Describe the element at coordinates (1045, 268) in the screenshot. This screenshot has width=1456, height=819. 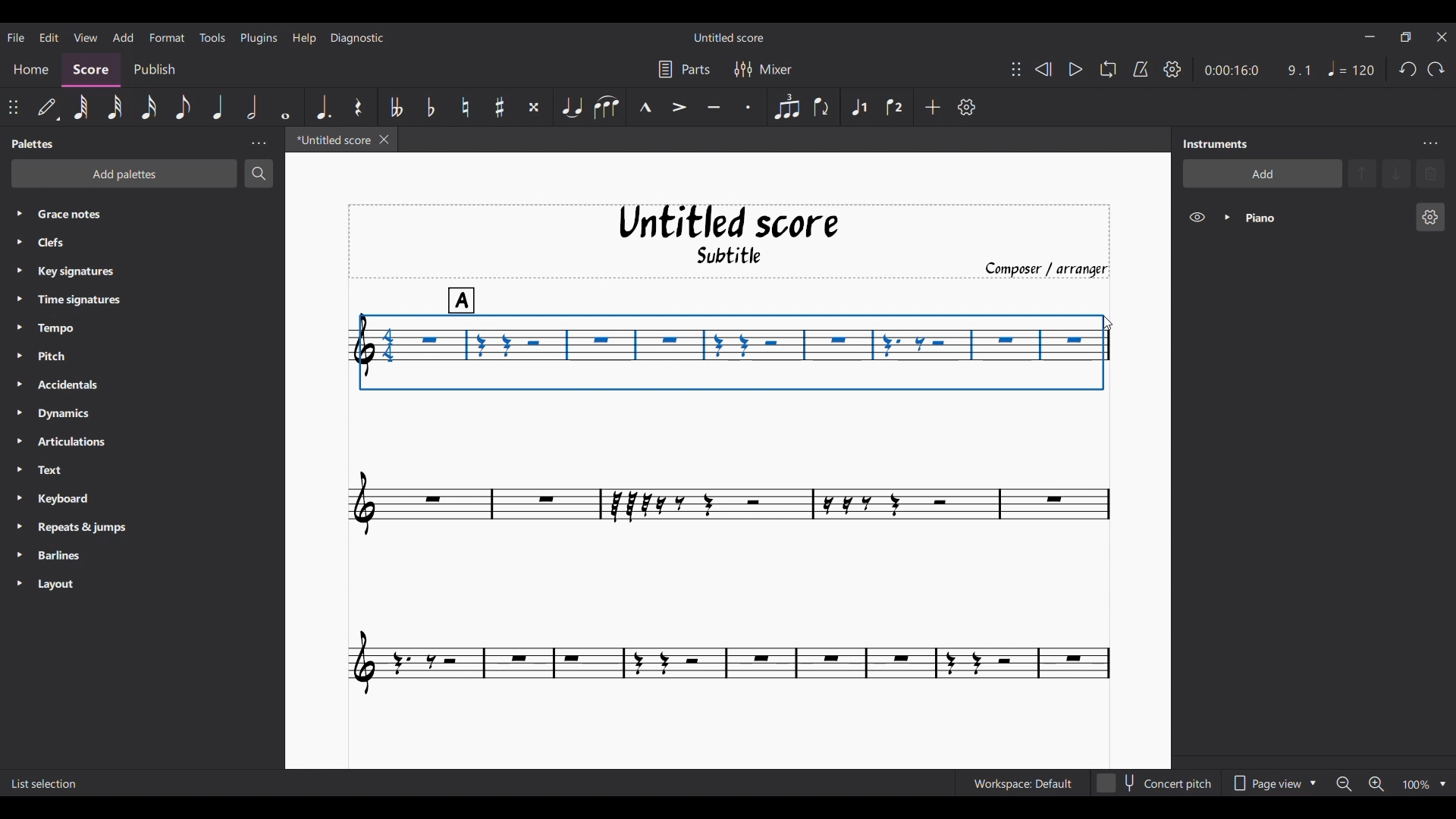
I see `Composer/arranger` at that location.